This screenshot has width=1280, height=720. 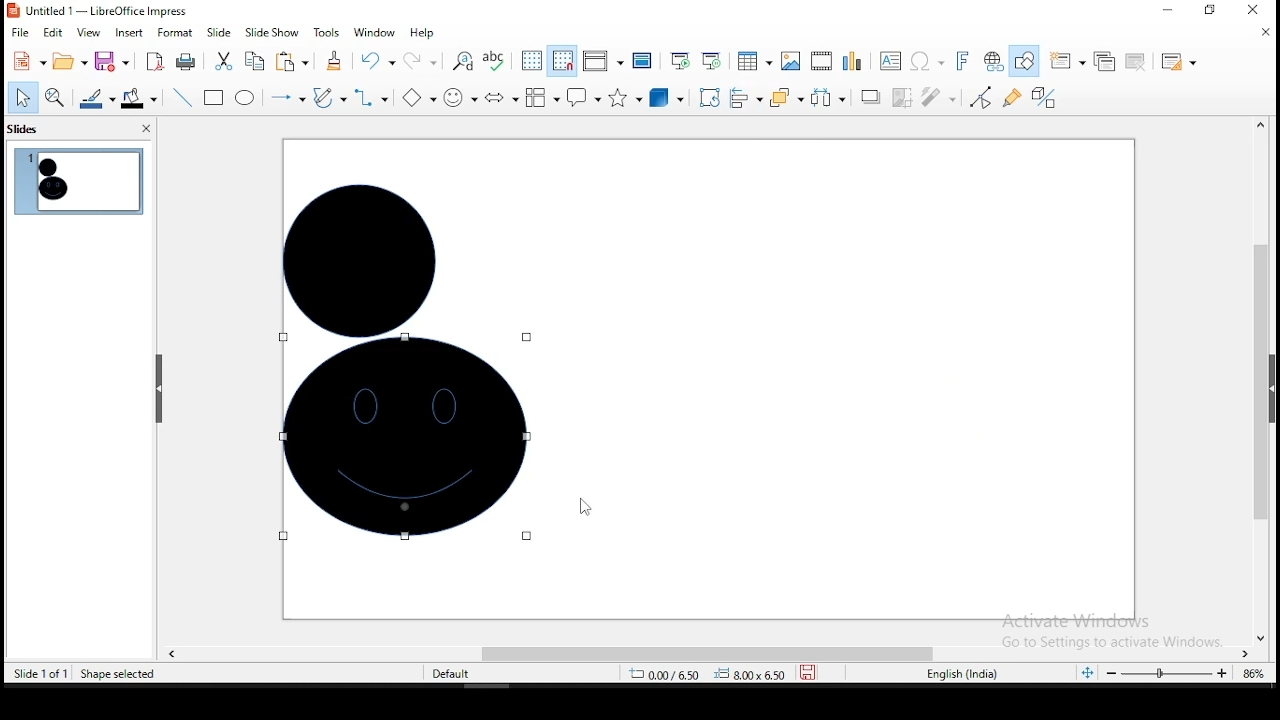 What do you see at coordinates (272, 31) in the screenshot?
I see `slide show` at bounding box center [272, 31].